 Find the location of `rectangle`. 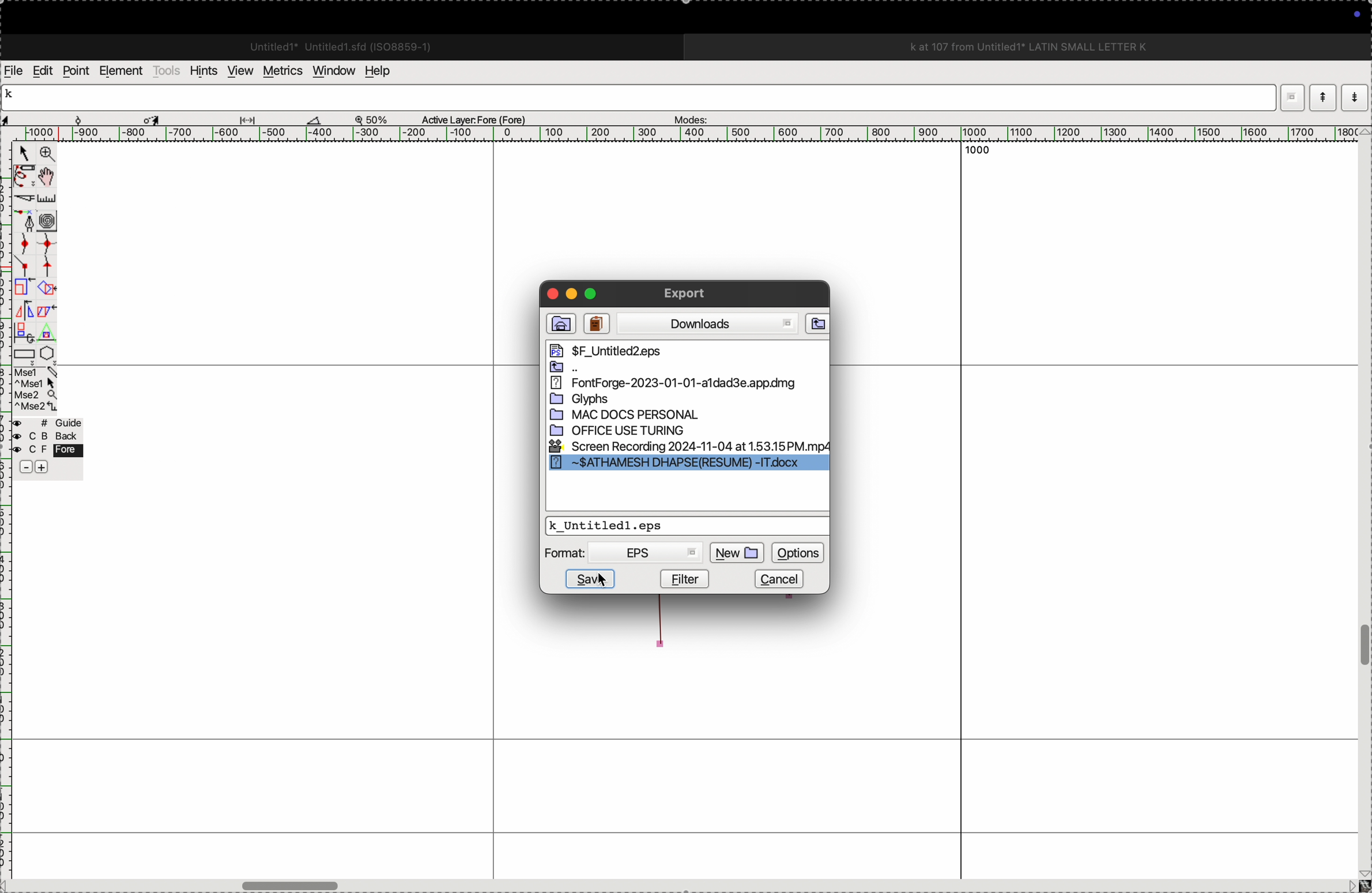

rectangle is located at coordinates (21, 352).